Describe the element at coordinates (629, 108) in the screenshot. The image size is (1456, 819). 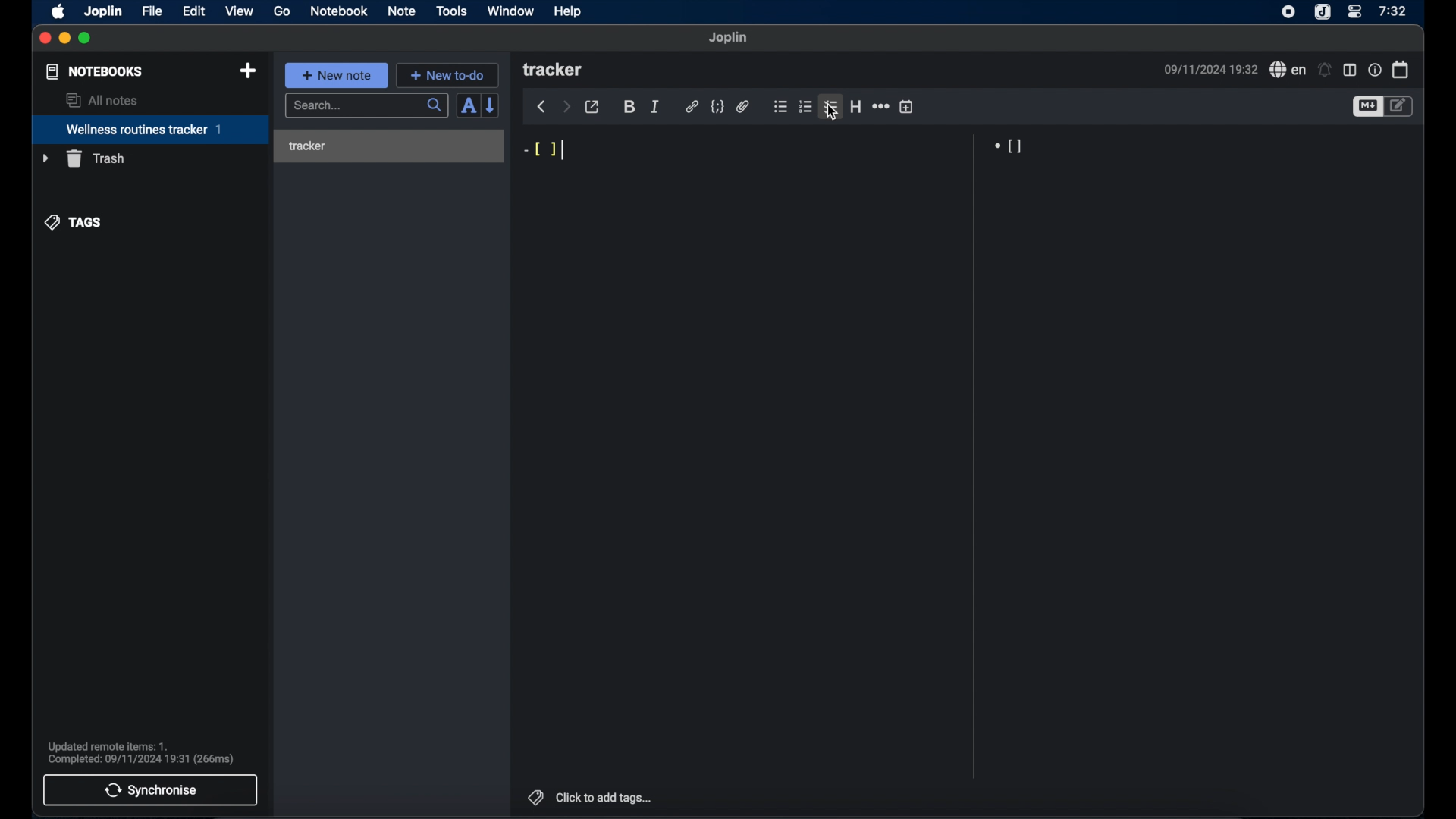
I see `bold` at that location.